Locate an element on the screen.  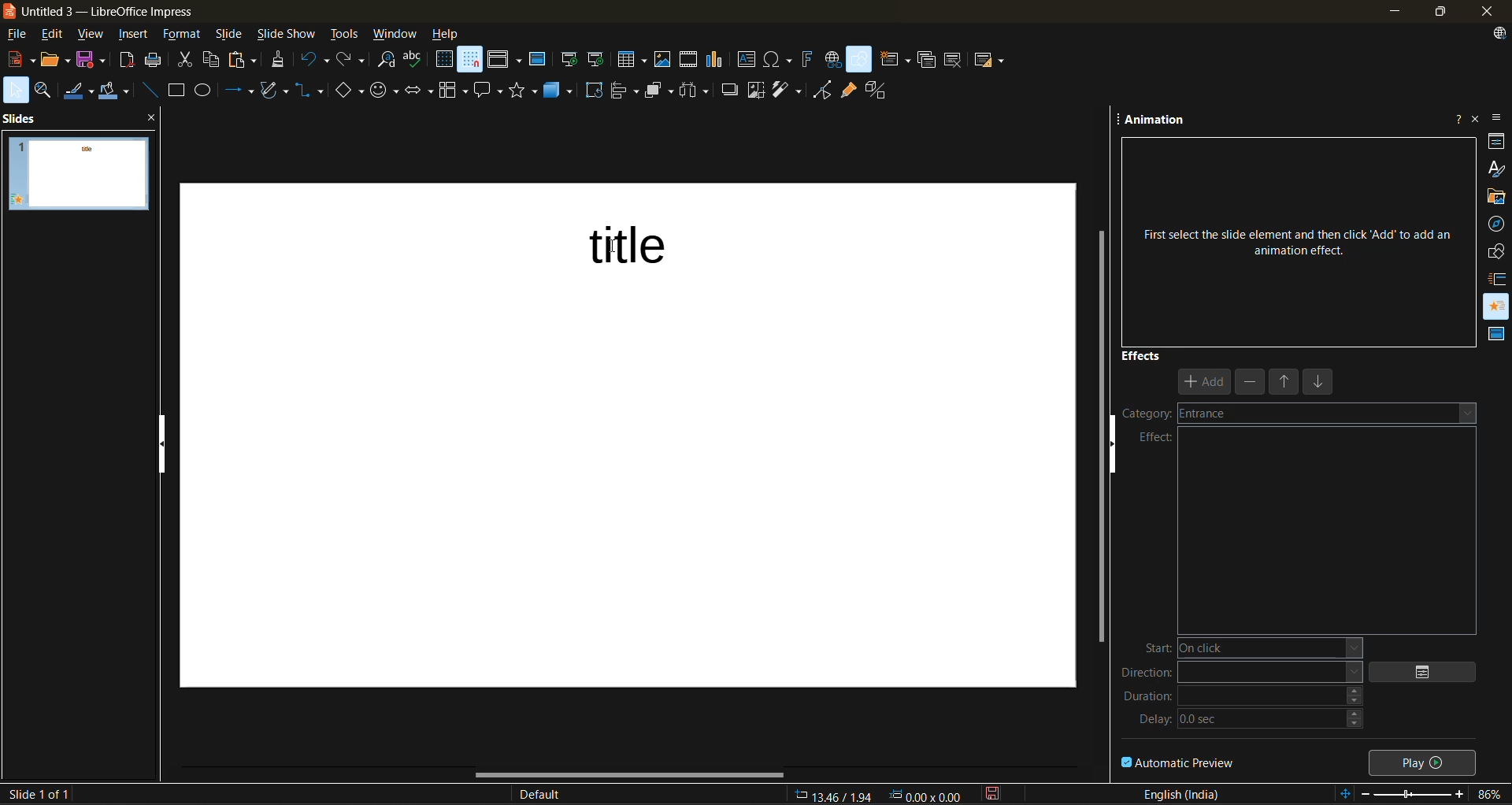
slide details is located at coordinates (37, 794).